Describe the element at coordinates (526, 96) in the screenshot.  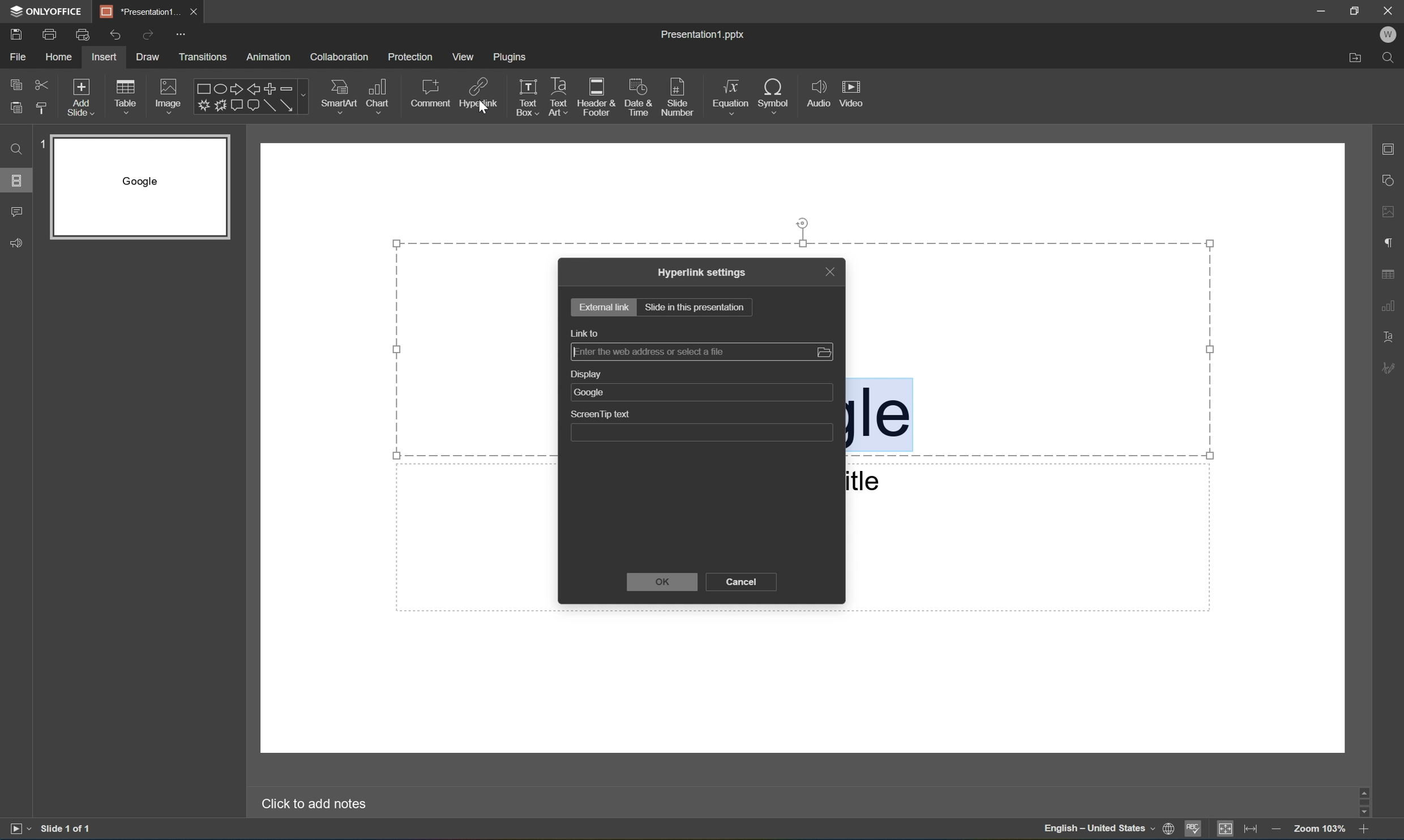
I see `Text box` at that location.